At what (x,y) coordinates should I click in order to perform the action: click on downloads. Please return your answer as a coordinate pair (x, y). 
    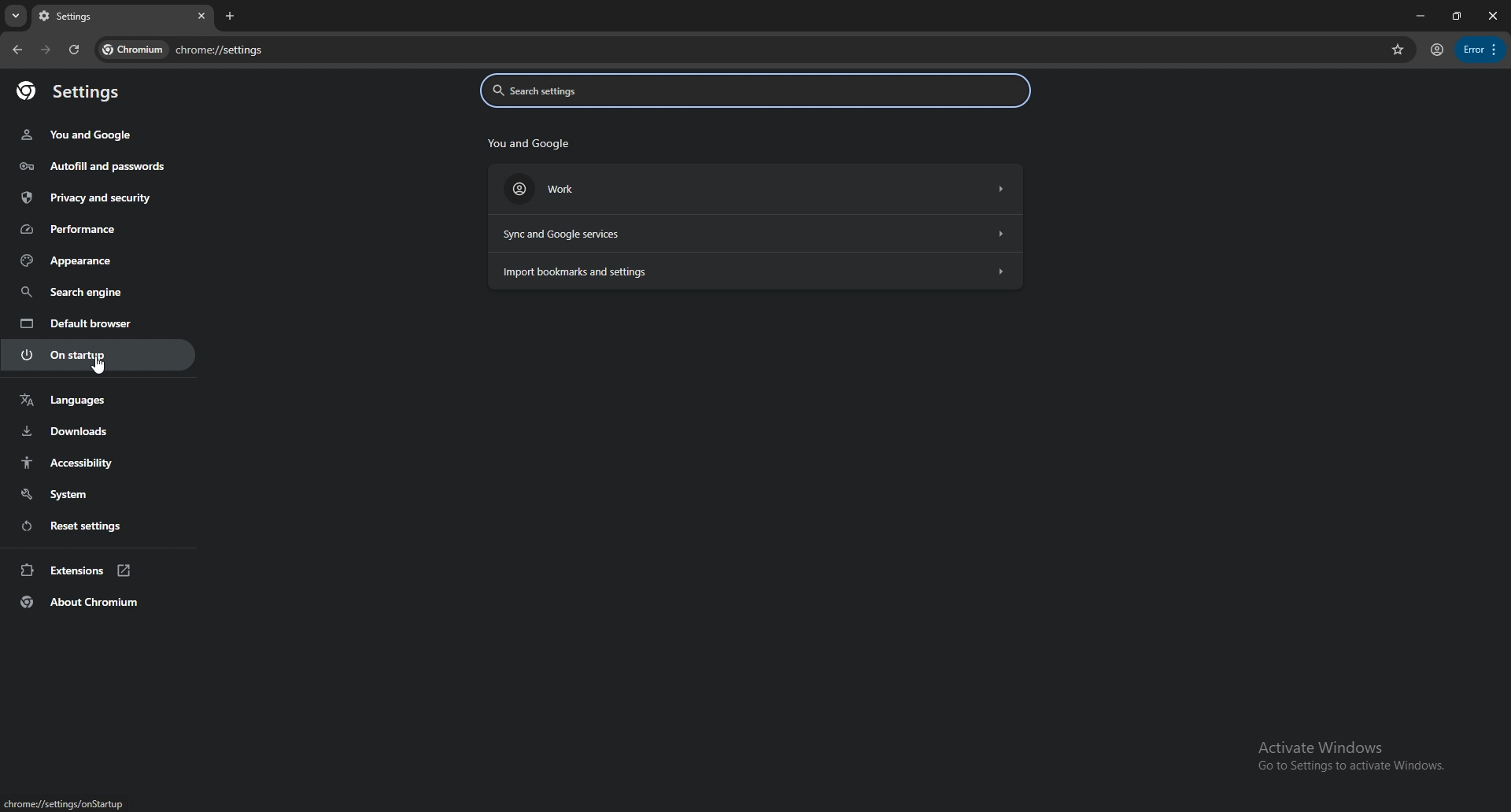
    Looking at the image, I should click on (97, 431).